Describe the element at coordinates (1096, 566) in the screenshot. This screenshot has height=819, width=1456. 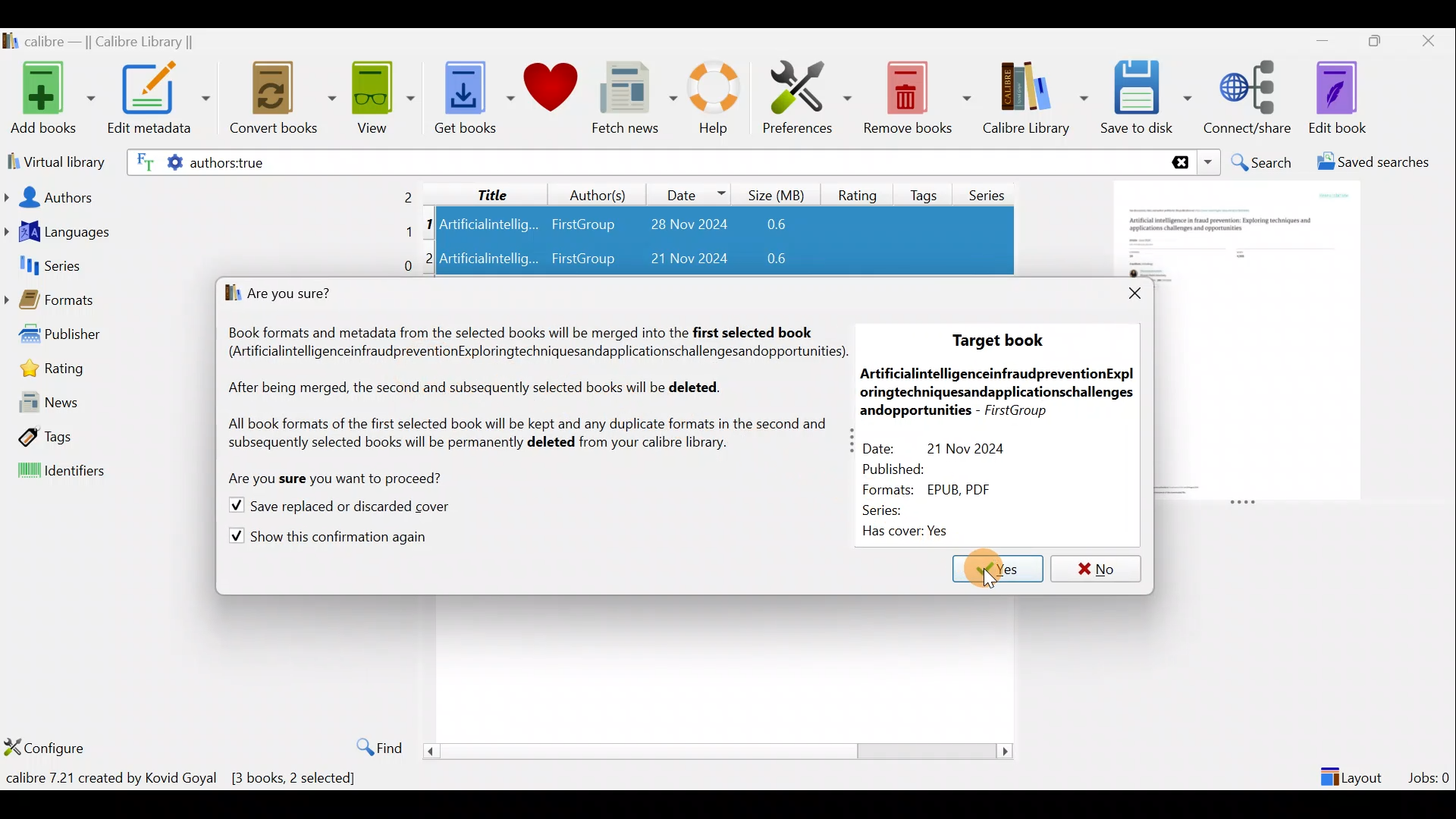
I see `No` at that location.